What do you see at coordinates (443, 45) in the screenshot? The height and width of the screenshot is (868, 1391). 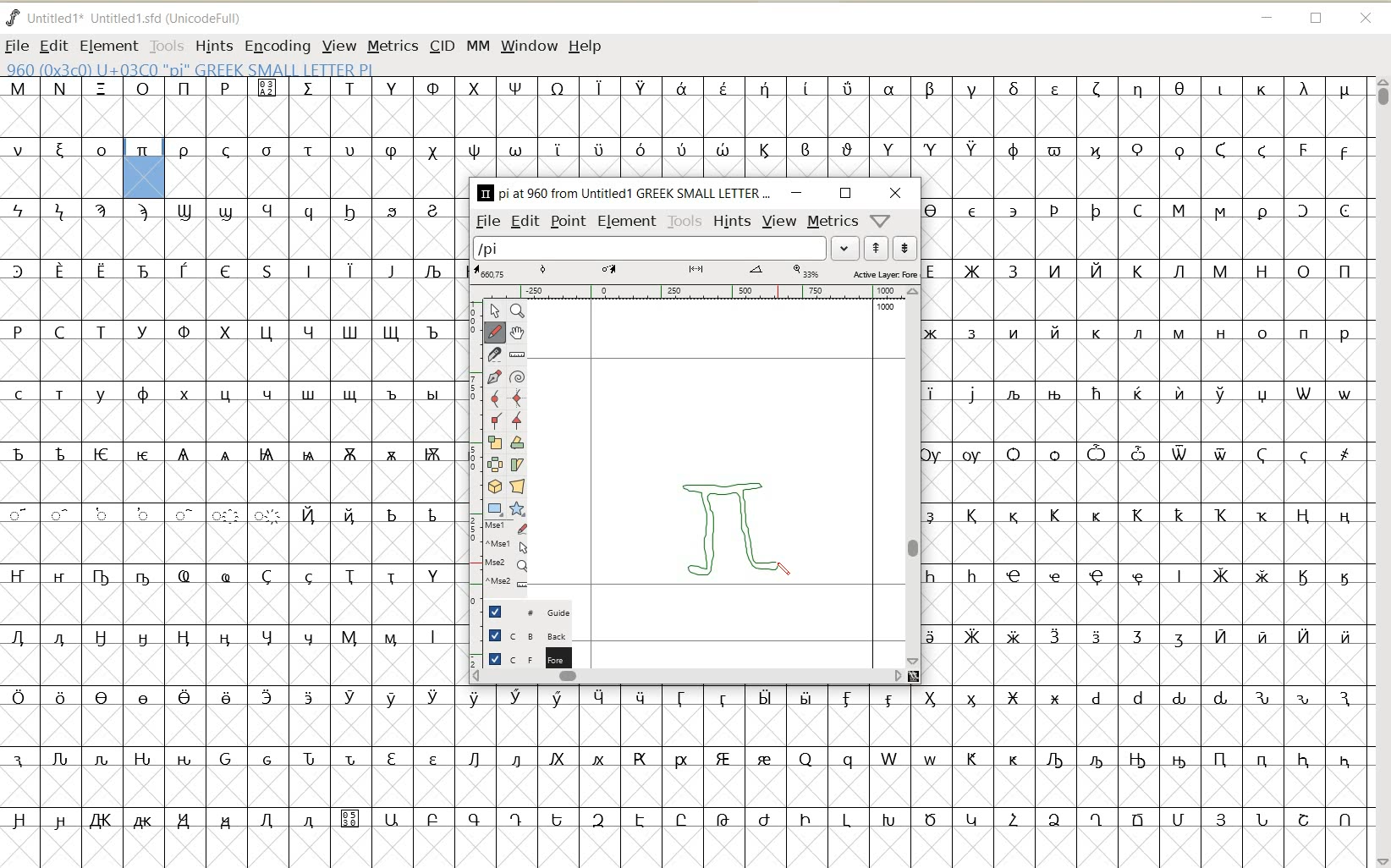 I see `CID` at bounding box center [443, 45].